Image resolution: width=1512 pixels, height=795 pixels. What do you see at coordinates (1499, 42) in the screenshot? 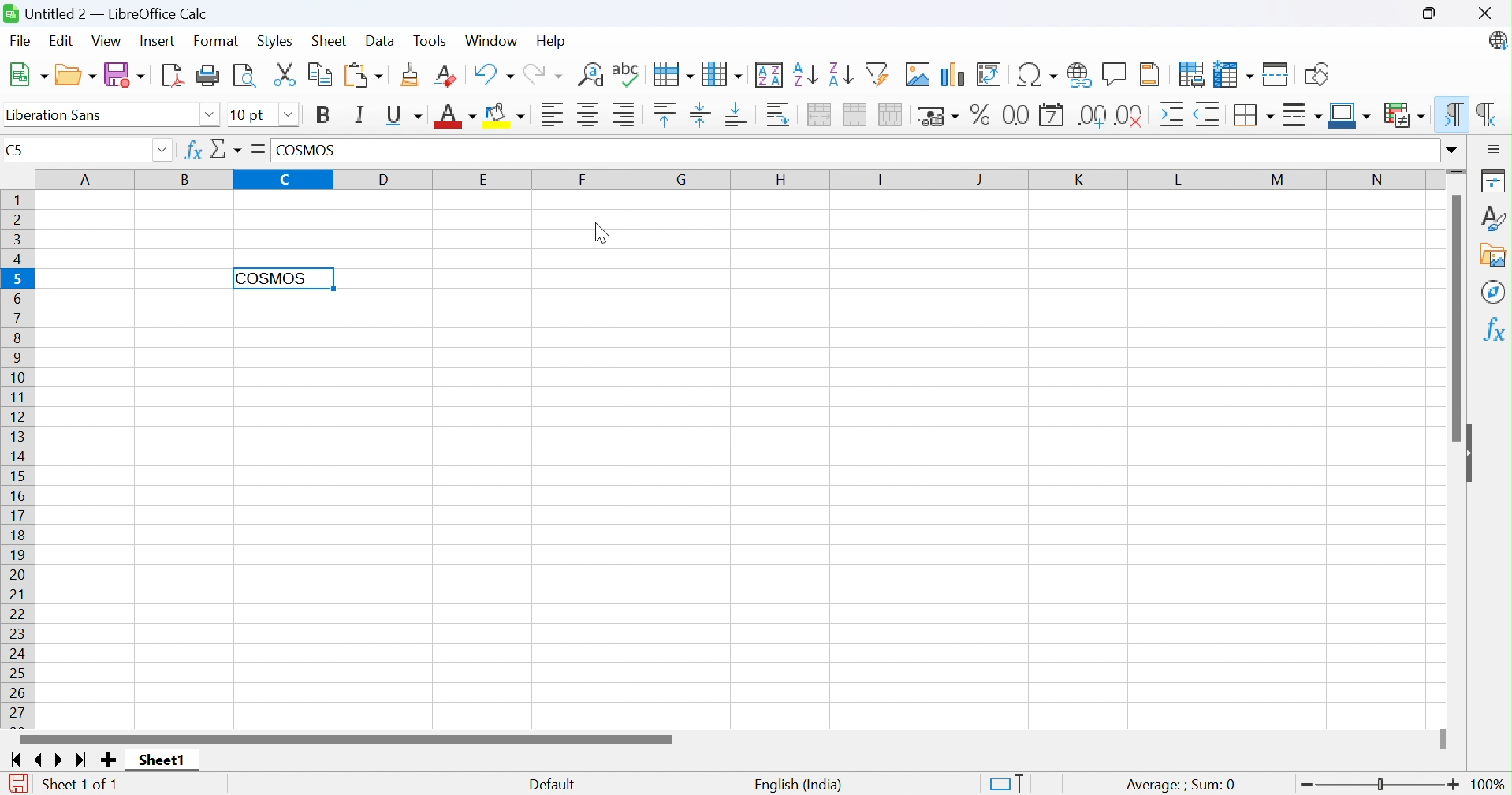
I see `LibreOffice update available` at bounding box center [1499, 42].